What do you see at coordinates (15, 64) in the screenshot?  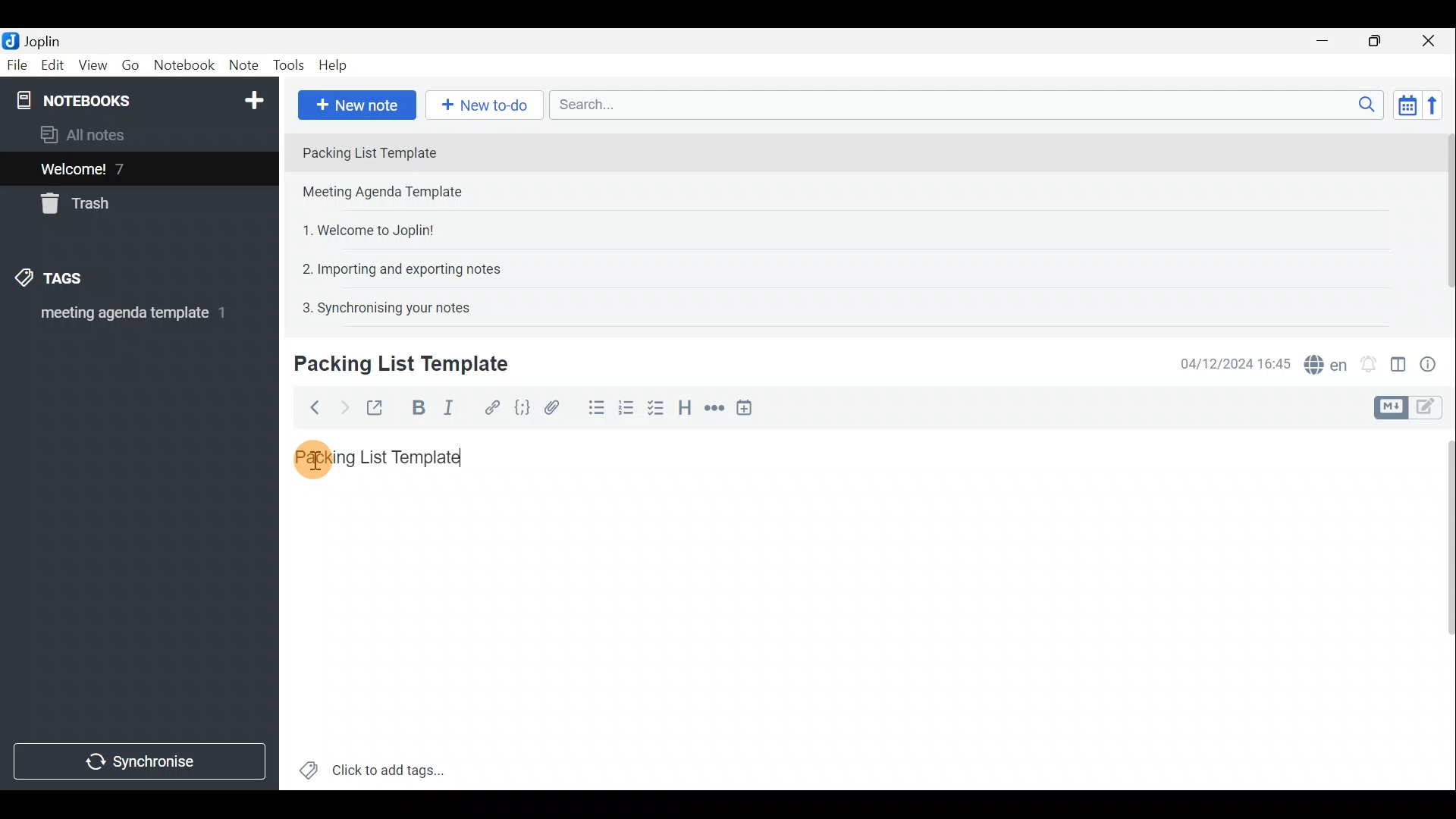 I see `File` at bounding box center [15, 64].